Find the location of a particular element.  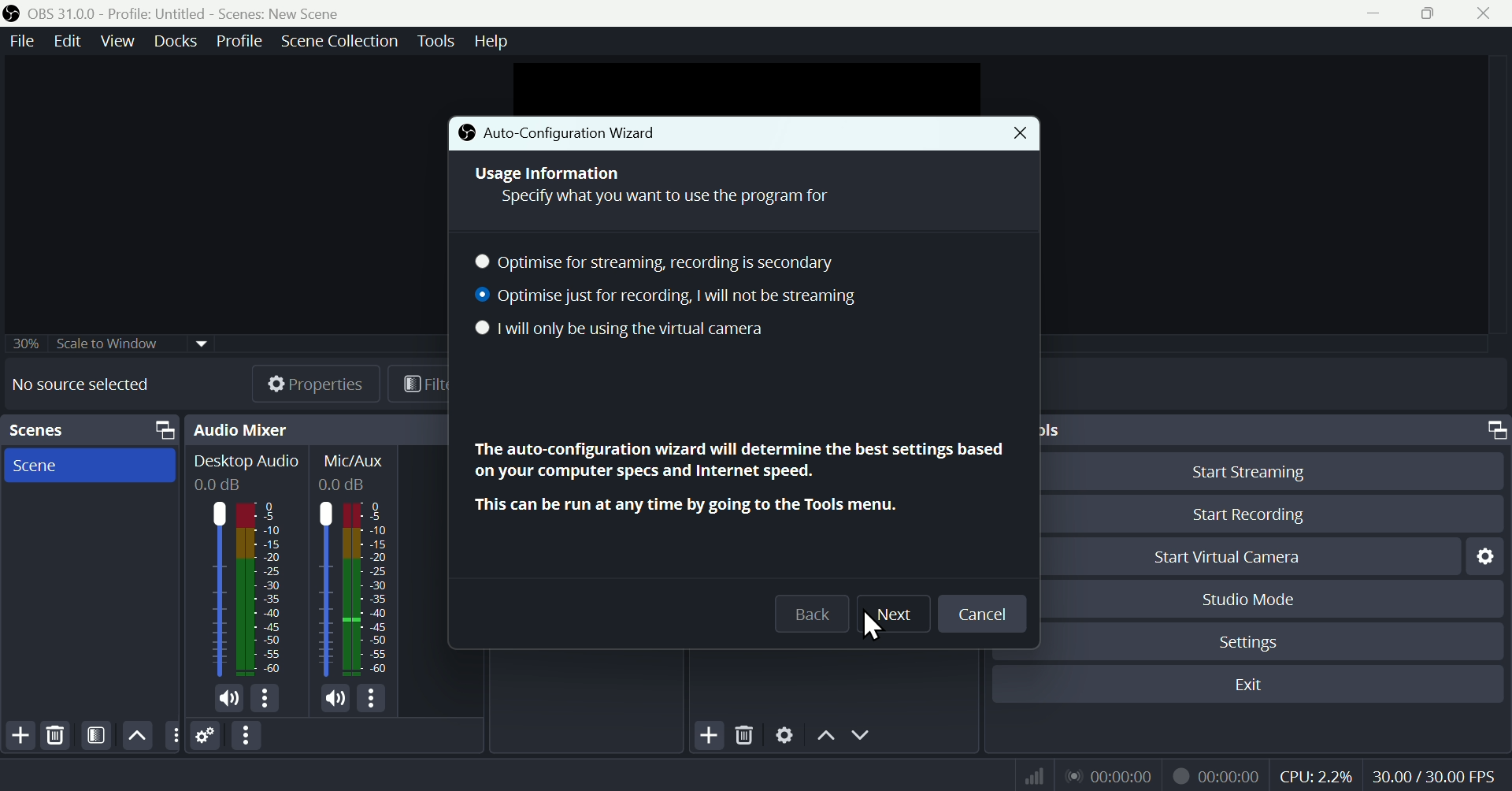

Filters is located at coordinates (419, 383).